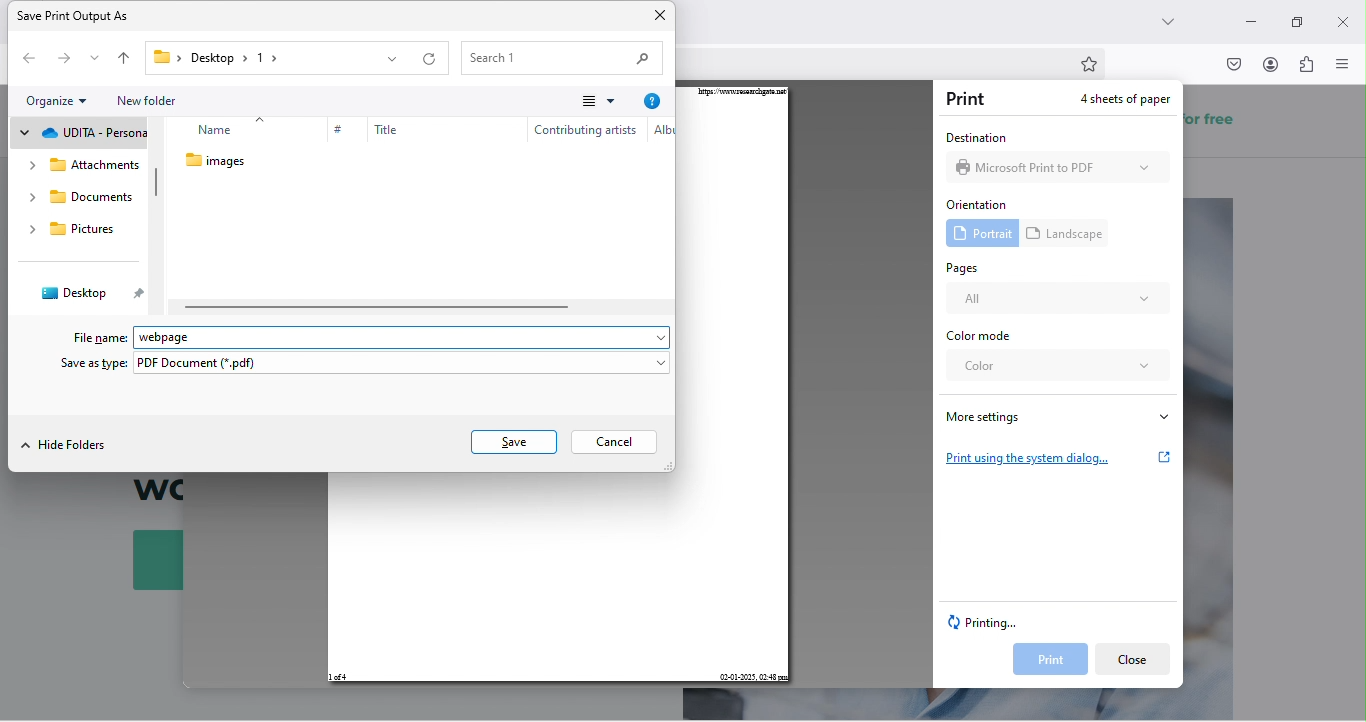  I want to click on 4 sheets of paper, so click(1114, 100).